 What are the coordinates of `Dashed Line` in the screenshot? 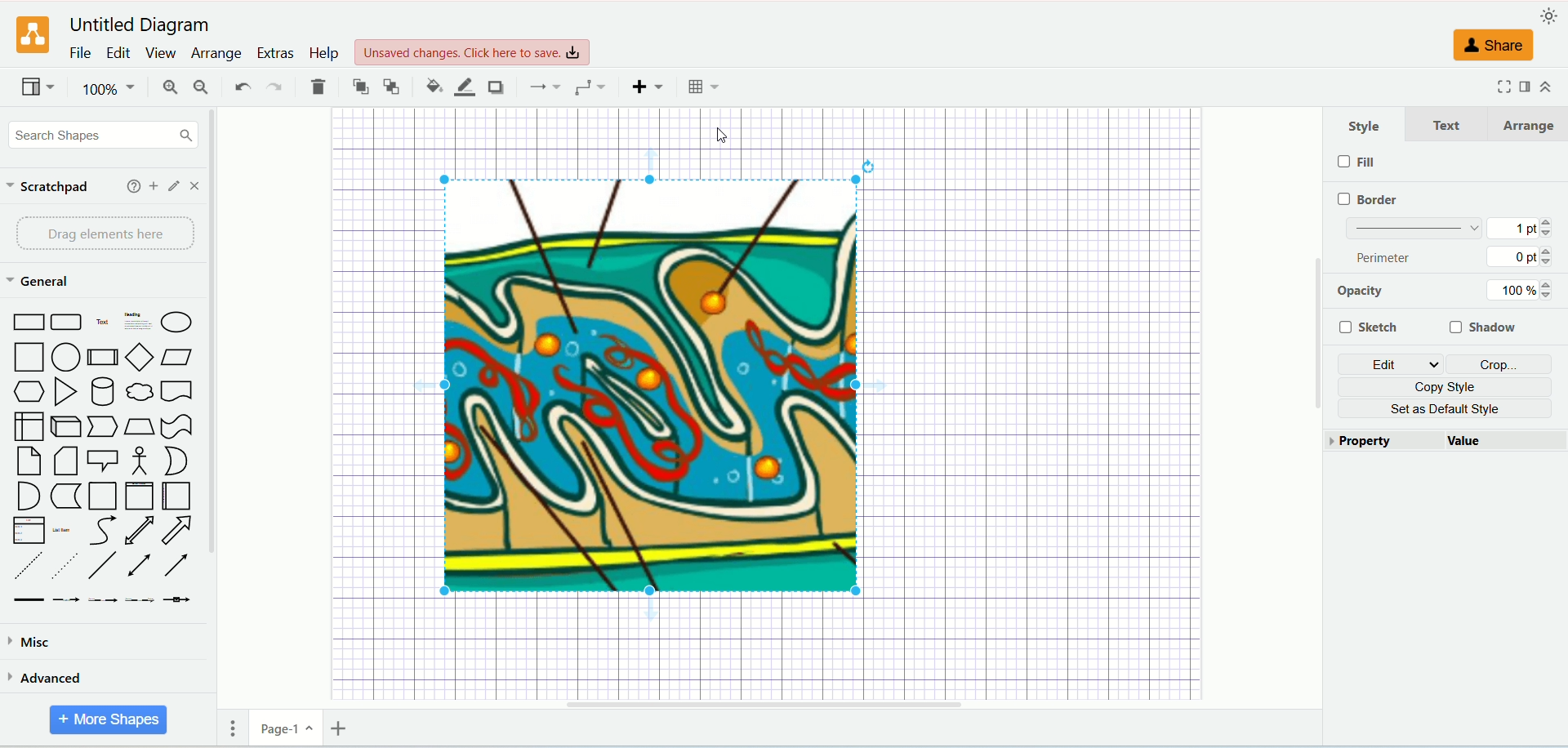 It's located at (28, 567).